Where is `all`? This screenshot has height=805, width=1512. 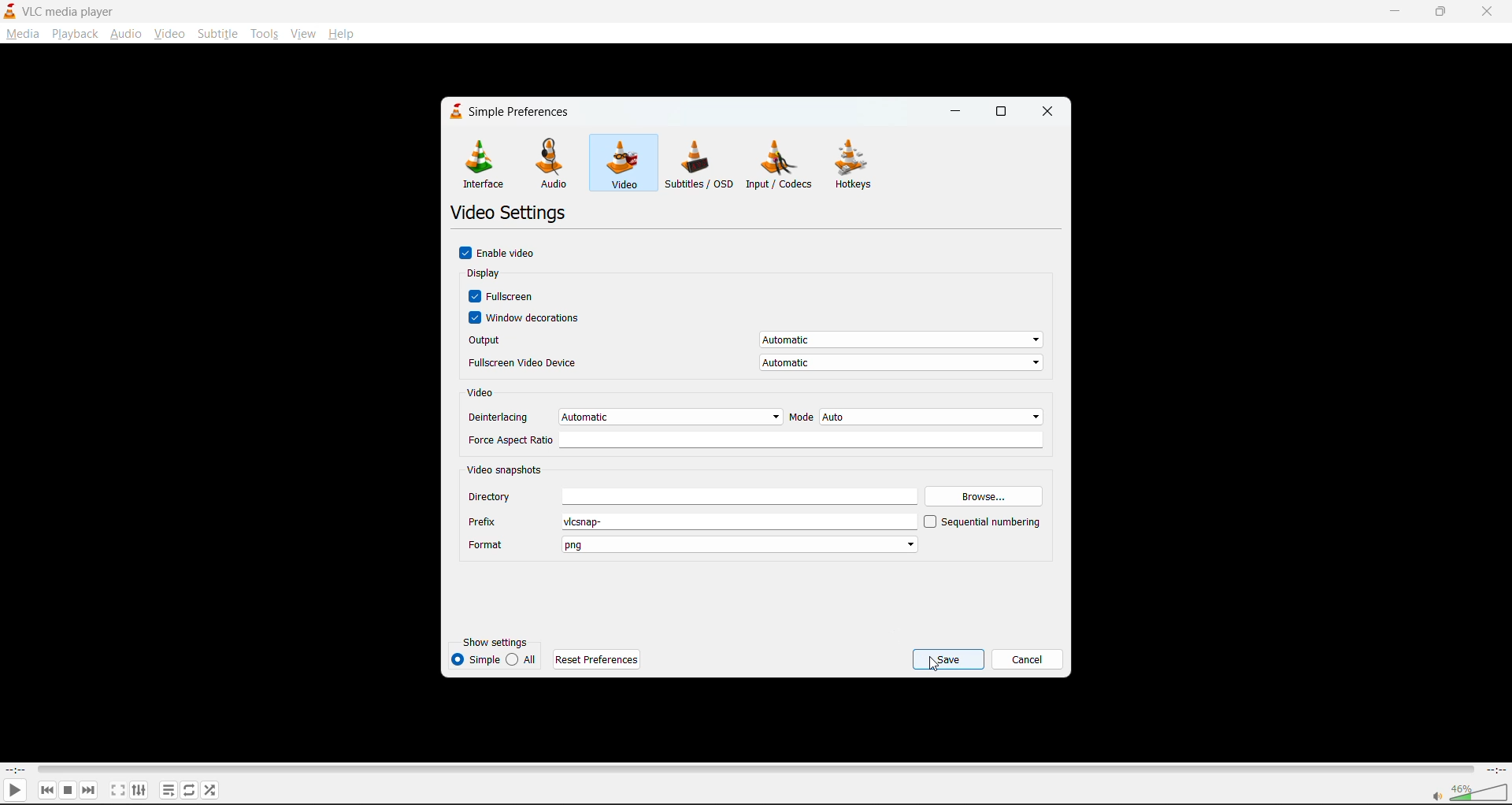
all is located at coordinates (521, 659).